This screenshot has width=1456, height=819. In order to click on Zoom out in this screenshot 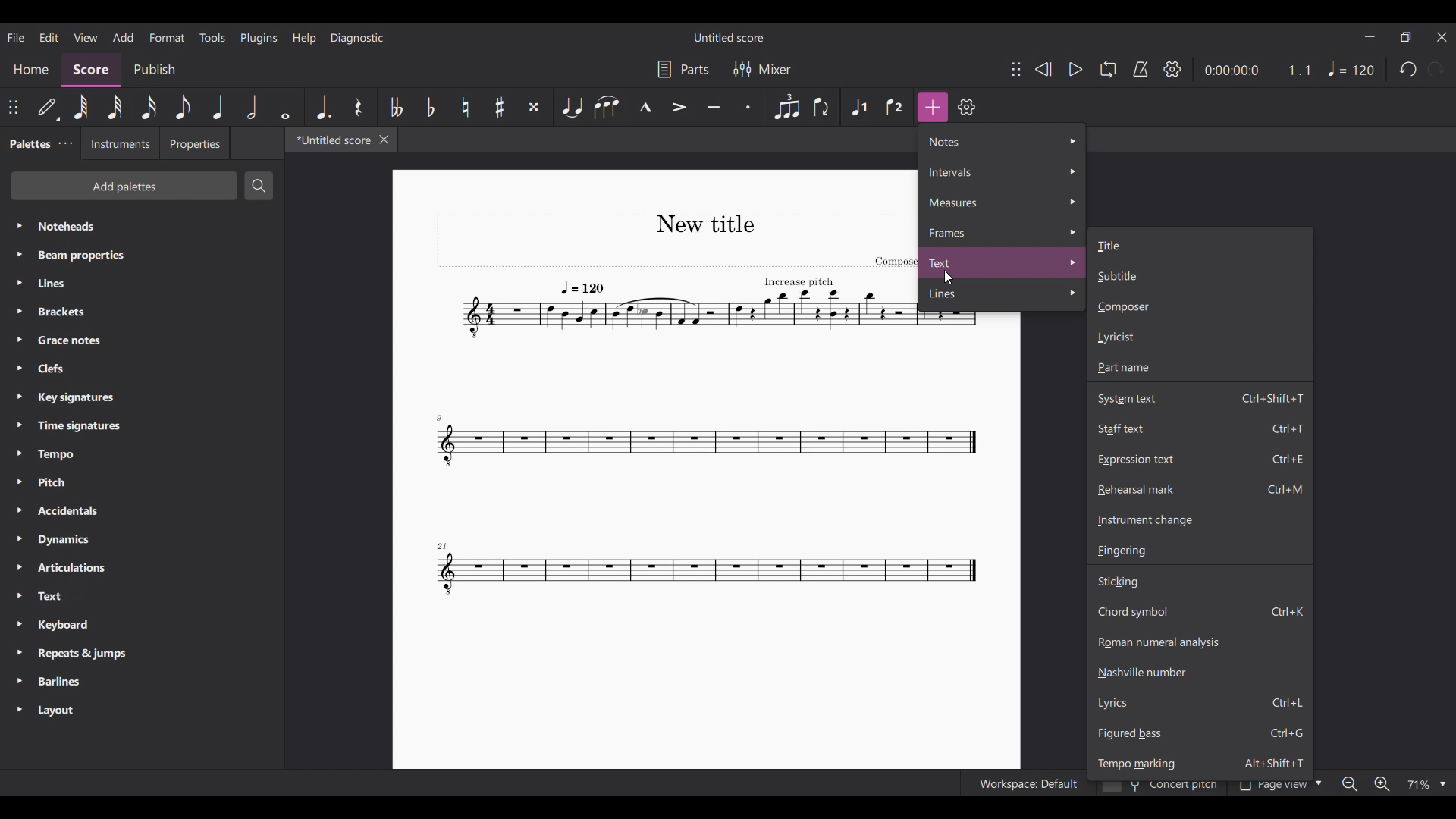, I will do `click(1349, 783)`.